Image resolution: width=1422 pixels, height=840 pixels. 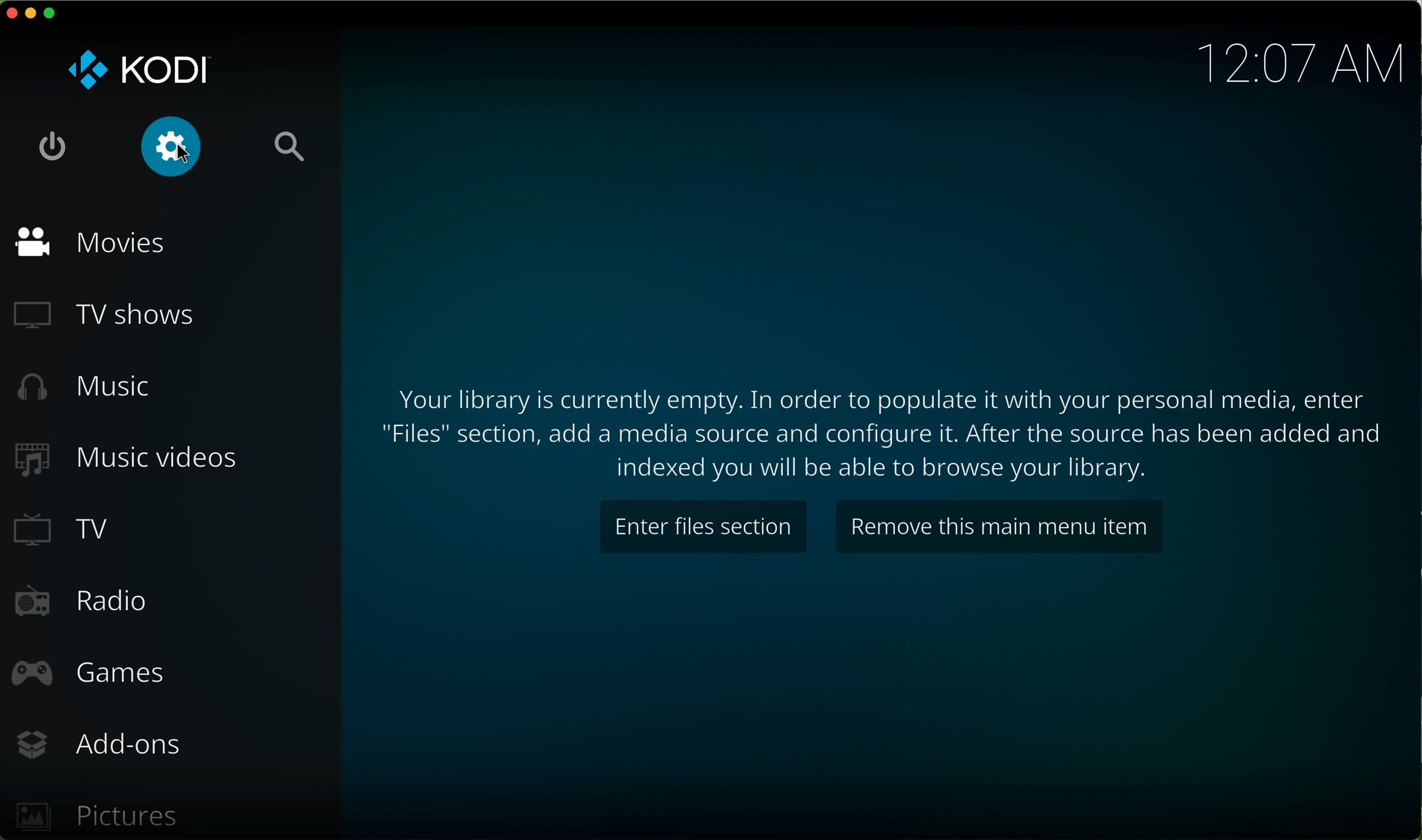 I want to click on TV, so click(x=63, y=529).